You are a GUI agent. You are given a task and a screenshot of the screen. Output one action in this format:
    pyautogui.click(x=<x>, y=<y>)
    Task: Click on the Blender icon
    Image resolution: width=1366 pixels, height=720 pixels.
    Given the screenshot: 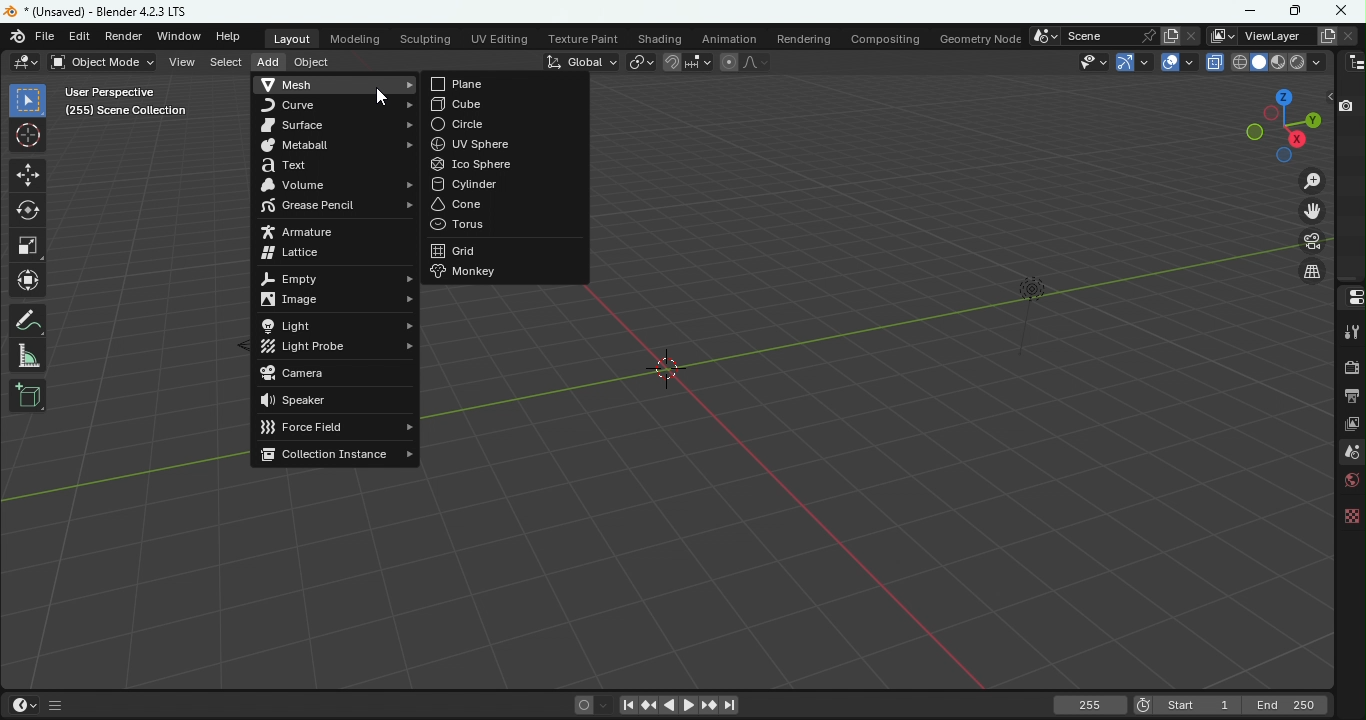 What is the action you would take?
    pyautogui.click(x=18, y=36)
    